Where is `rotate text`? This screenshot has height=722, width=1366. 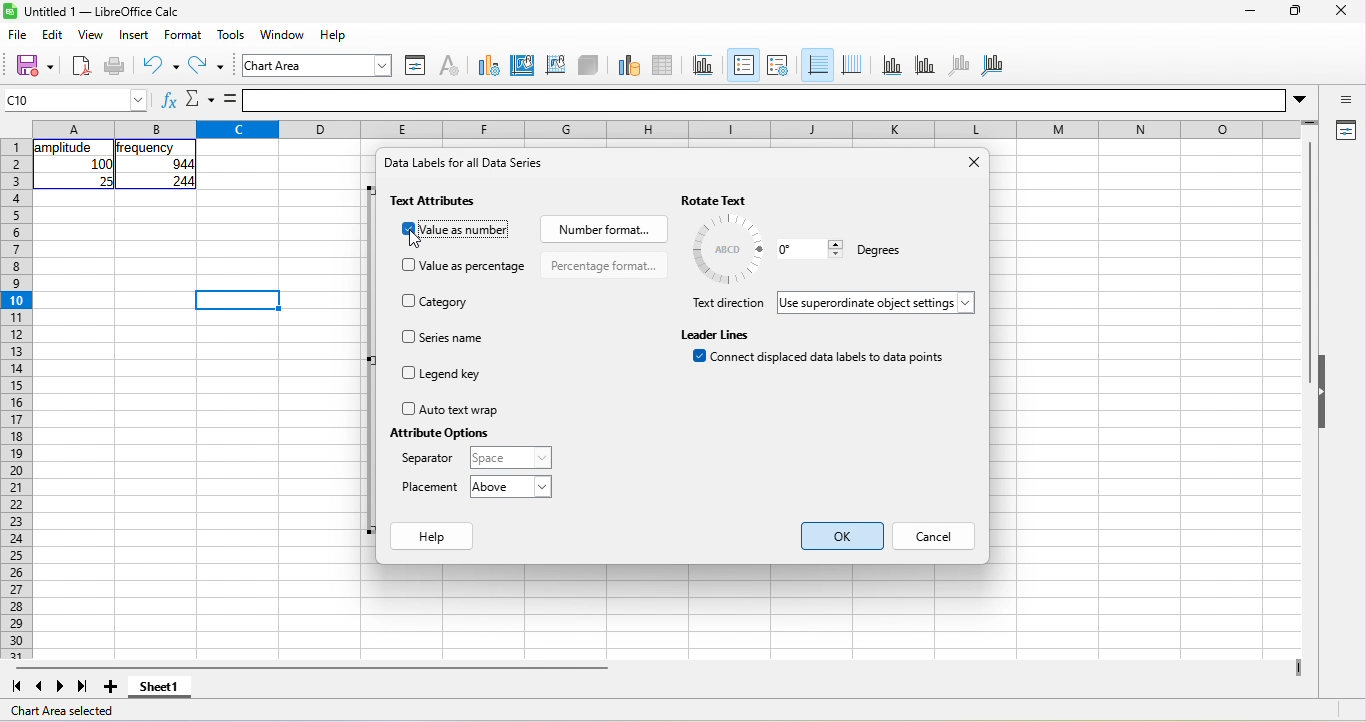 rotate text is located at coordinates (736, 200).